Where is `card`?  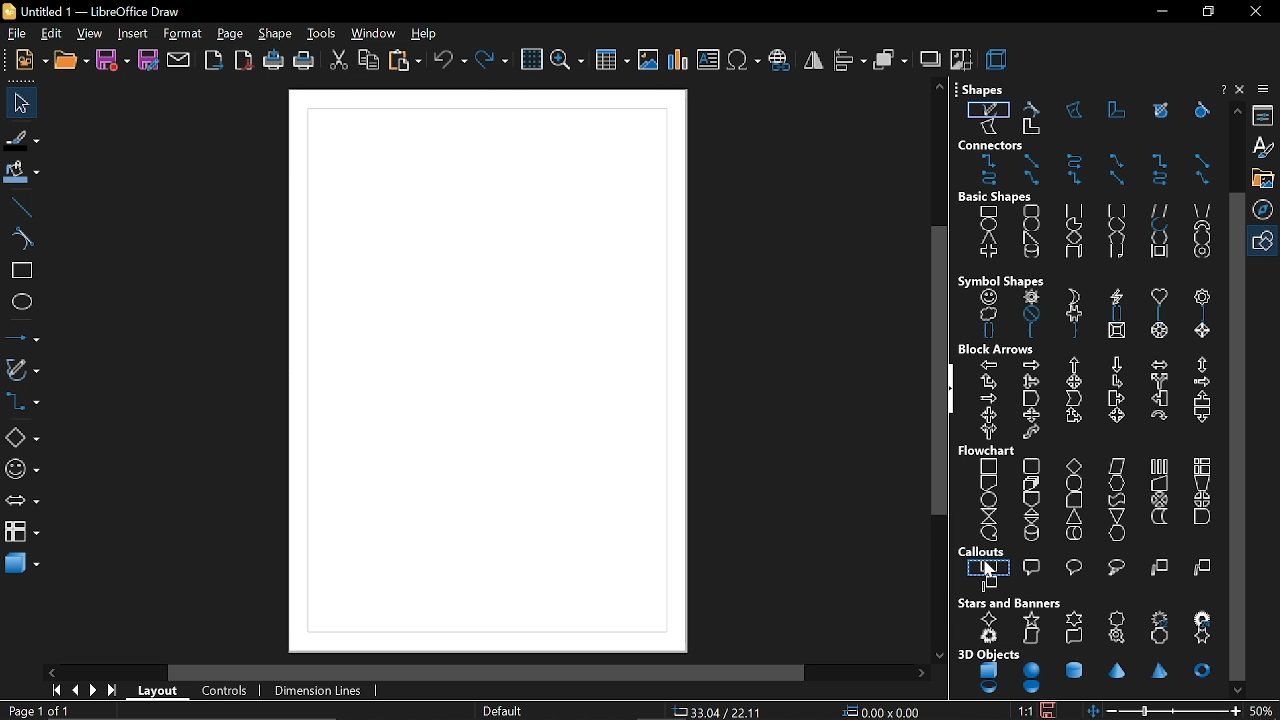
card is located at coordinates (1071, 500).